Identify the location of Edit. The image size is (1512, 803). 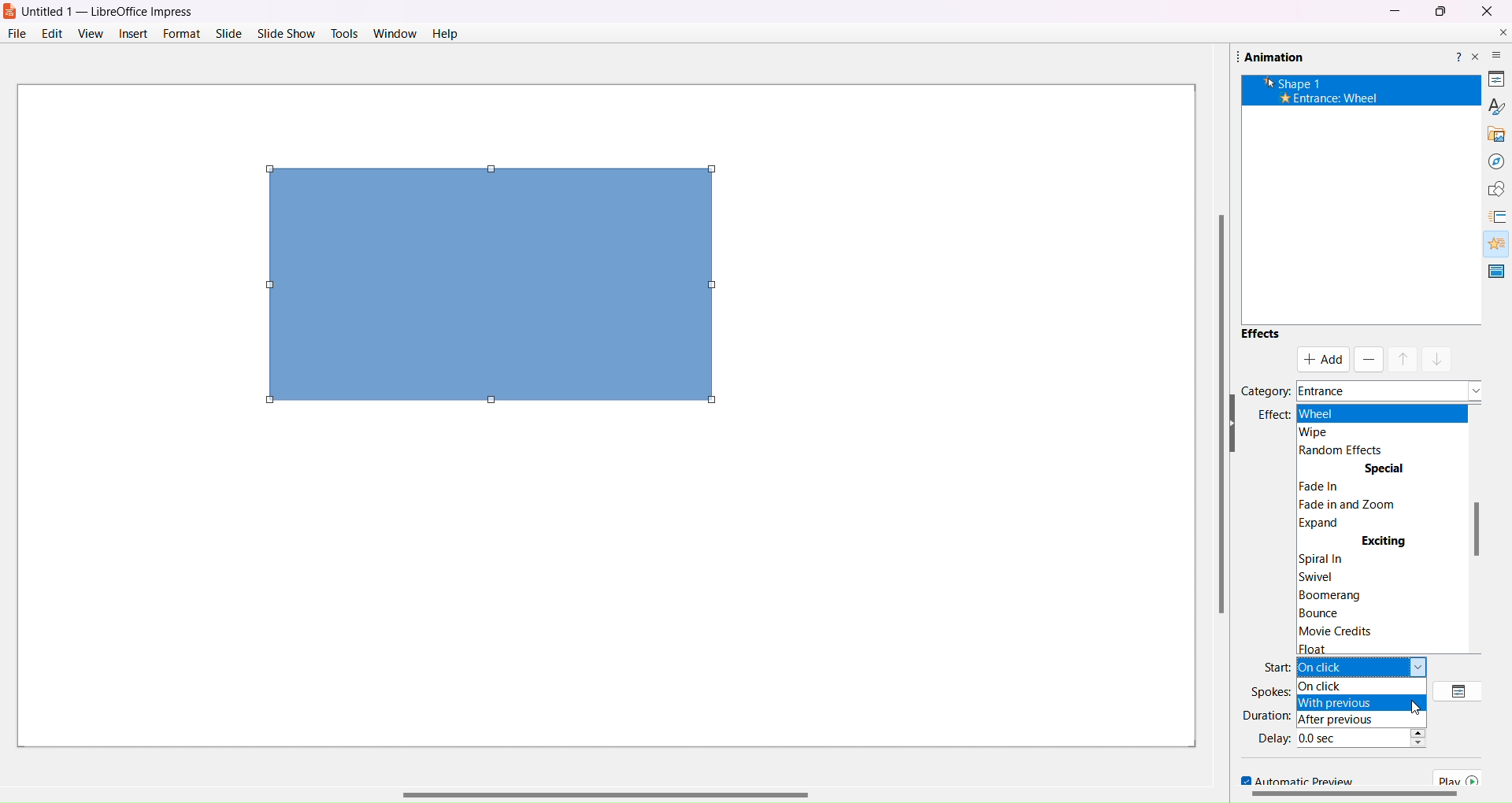
(54, 33).